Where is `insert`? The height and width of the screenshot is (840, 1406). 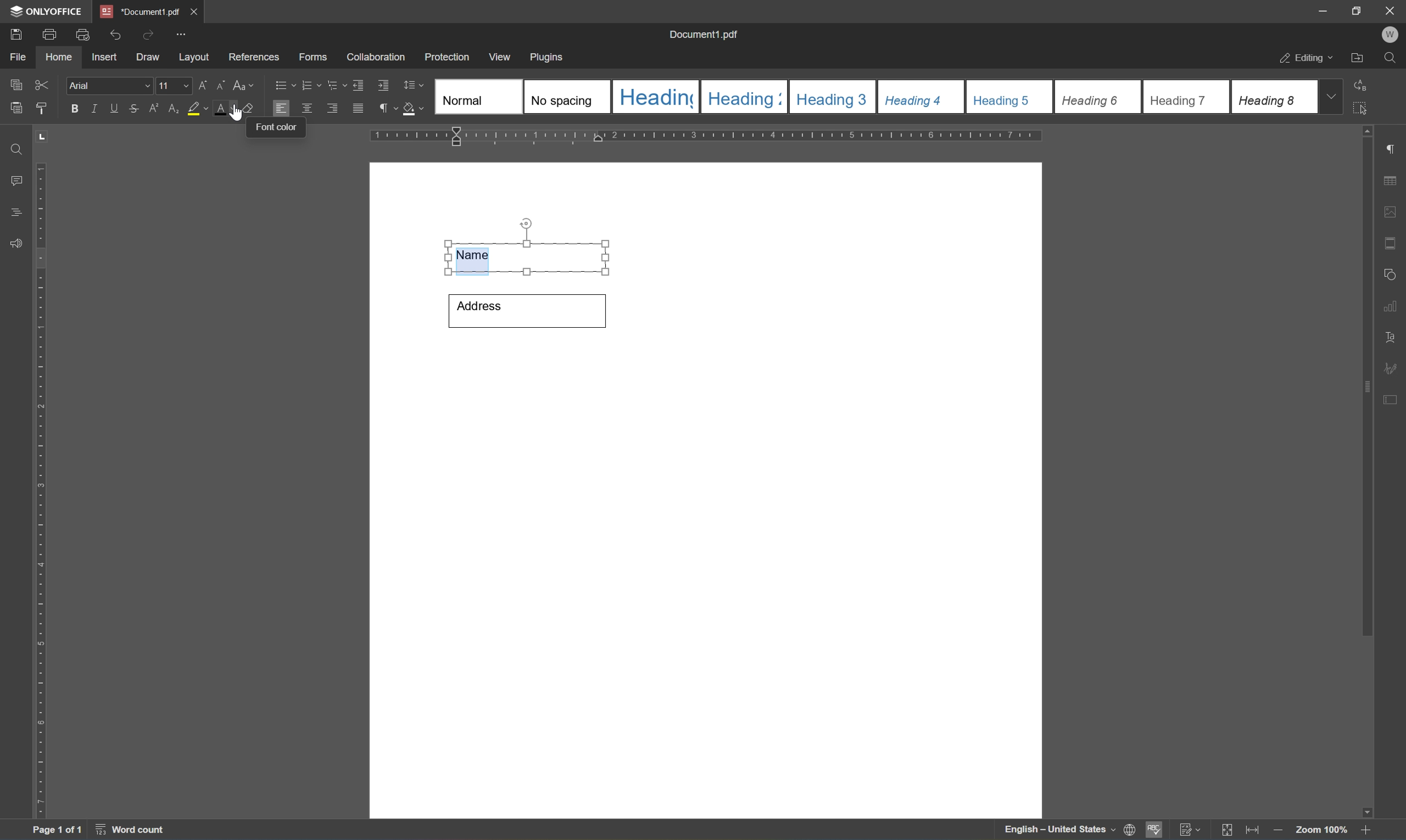 insert is located at coordinates (110, 58).